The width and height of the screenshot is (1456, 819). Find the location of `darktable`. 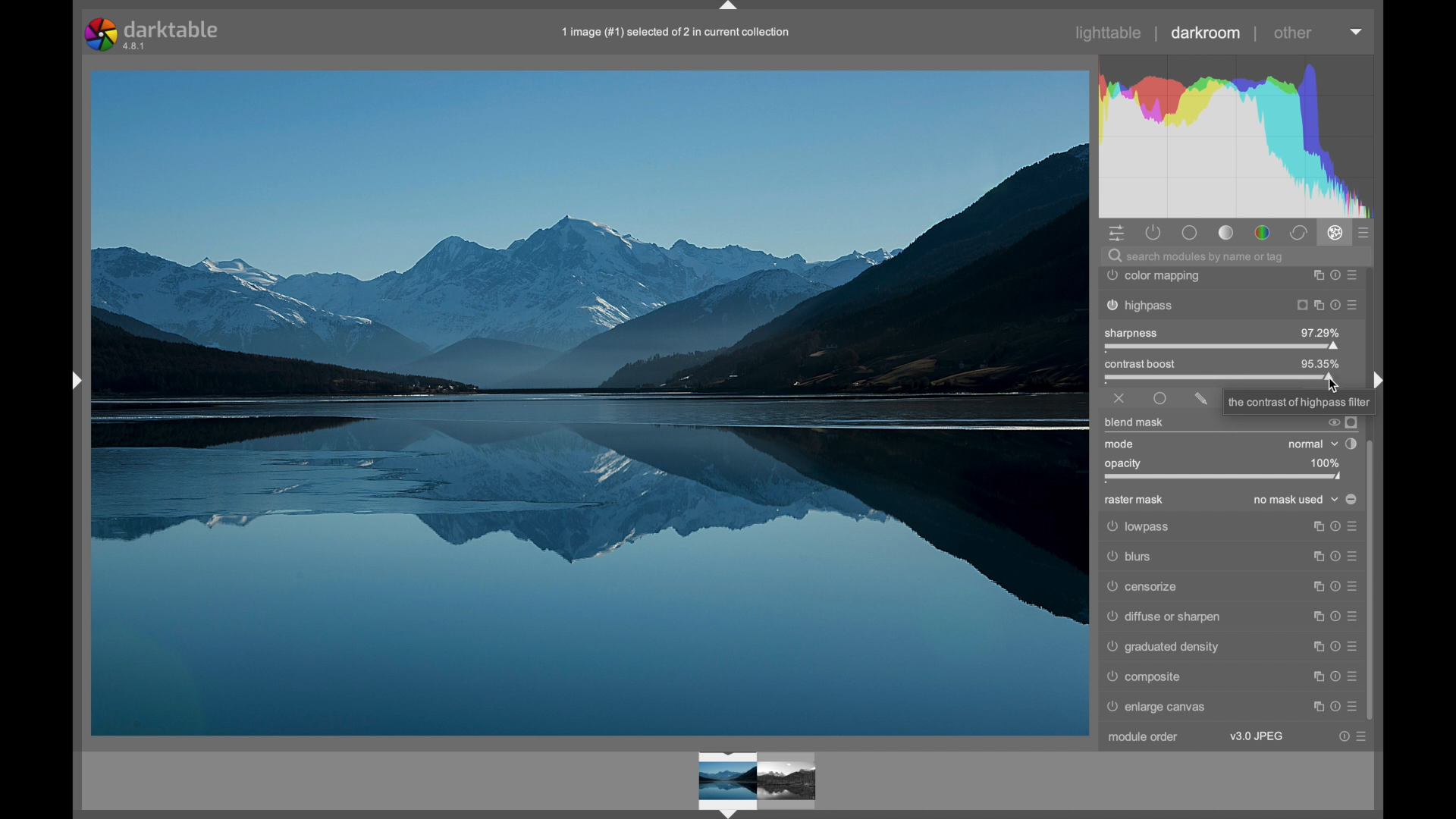

darktable is located at coordinates (153, 34).